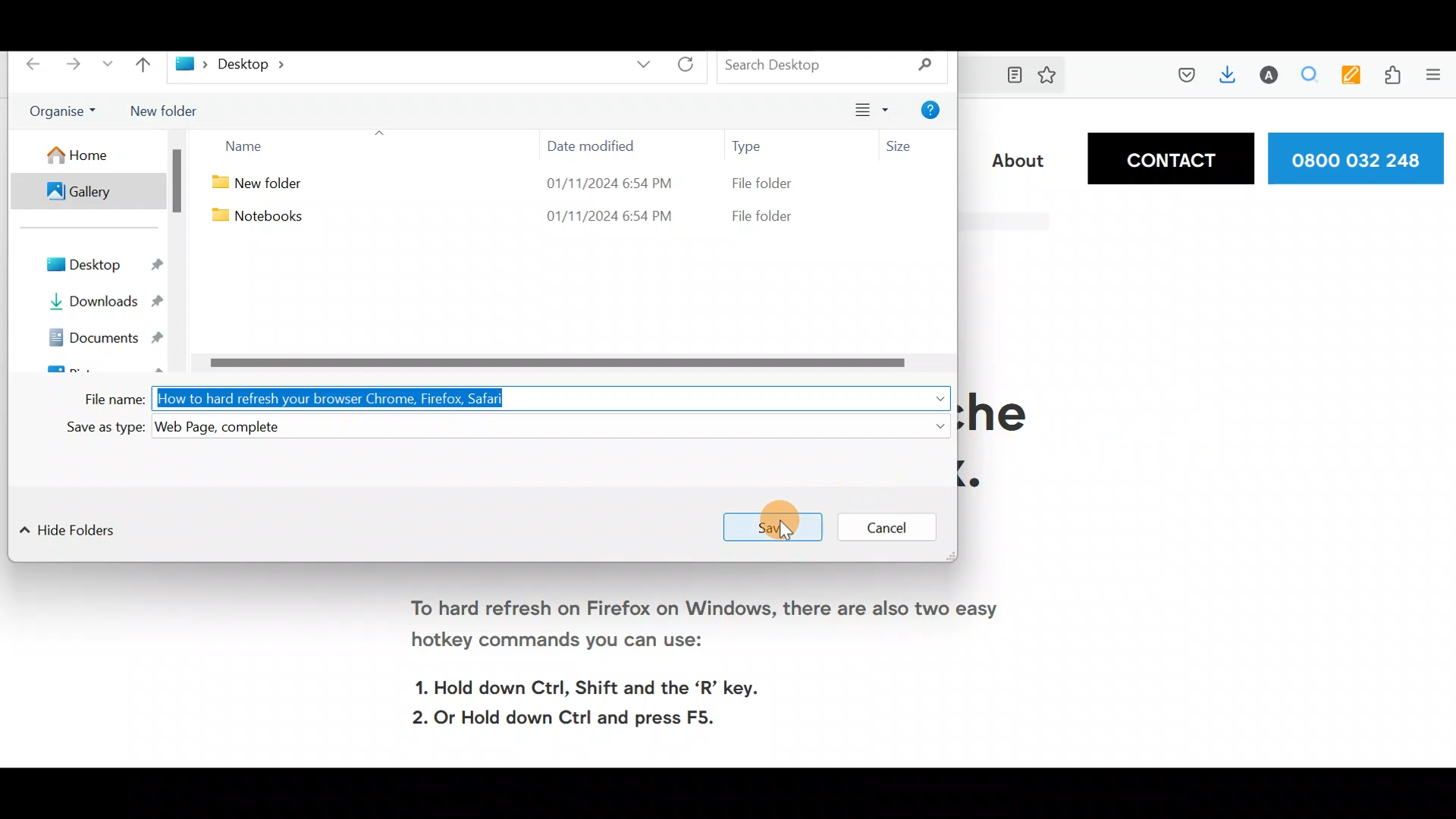  What do you see at coordinates (761, 187) in the screenshot?
I see `File folder` at bounding box center [761, 187].